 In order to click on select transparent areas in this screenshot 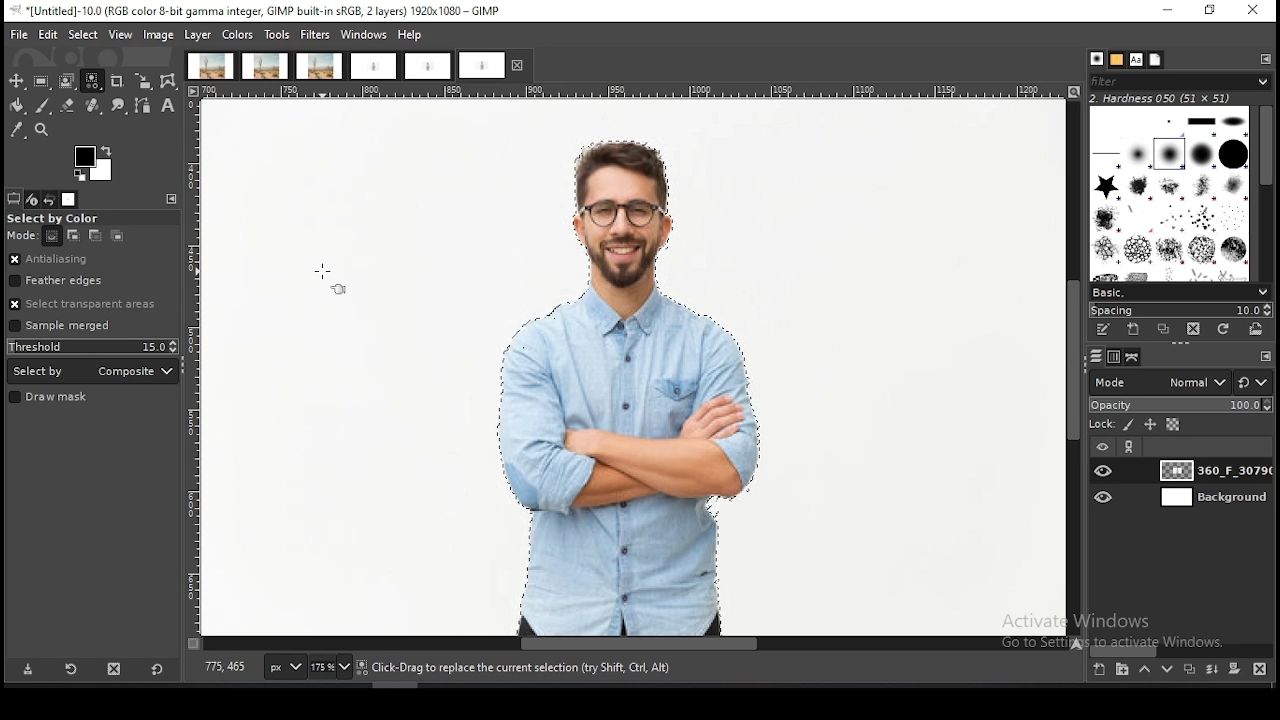, I will do `click(87, 304)`.